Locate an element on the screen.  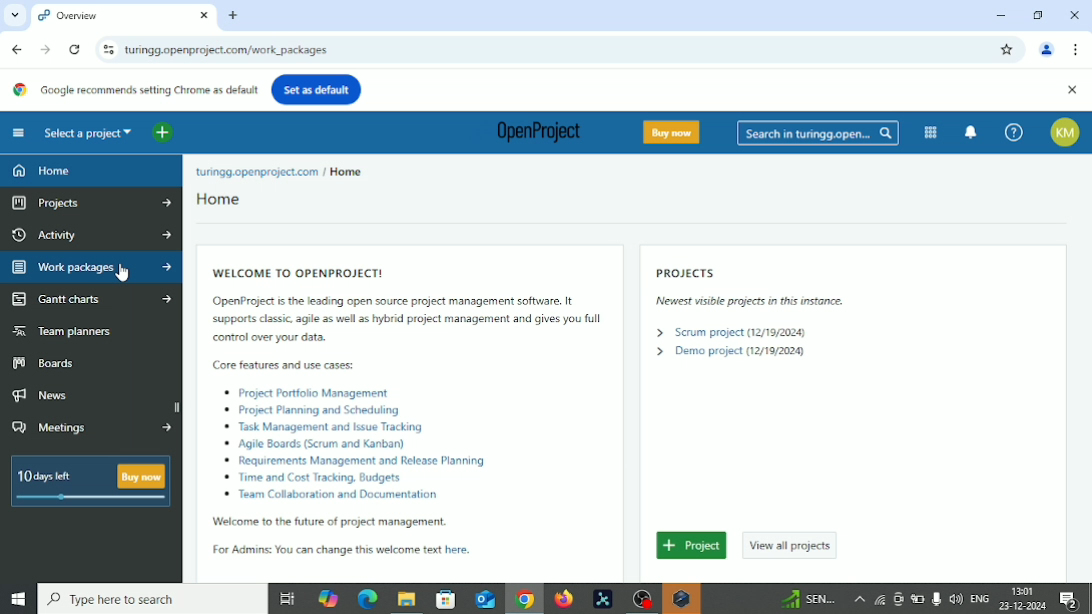
View site information is located at coordinates (106, 49).